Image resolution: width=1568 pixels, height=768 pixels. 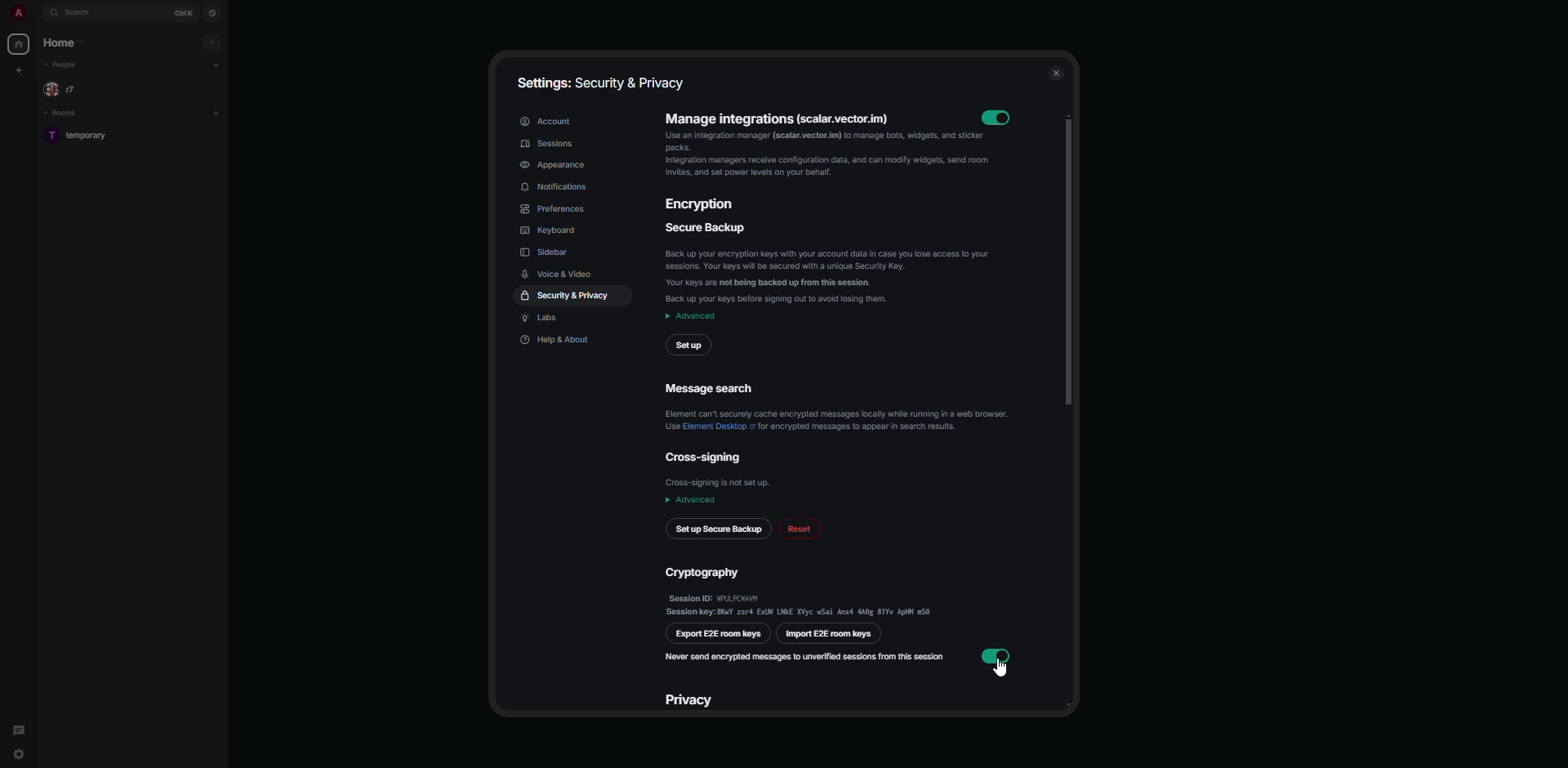 What do you see at coordinates (691, 316) in the screenshot?
I see `advanced` at bounding box center [691, 316].